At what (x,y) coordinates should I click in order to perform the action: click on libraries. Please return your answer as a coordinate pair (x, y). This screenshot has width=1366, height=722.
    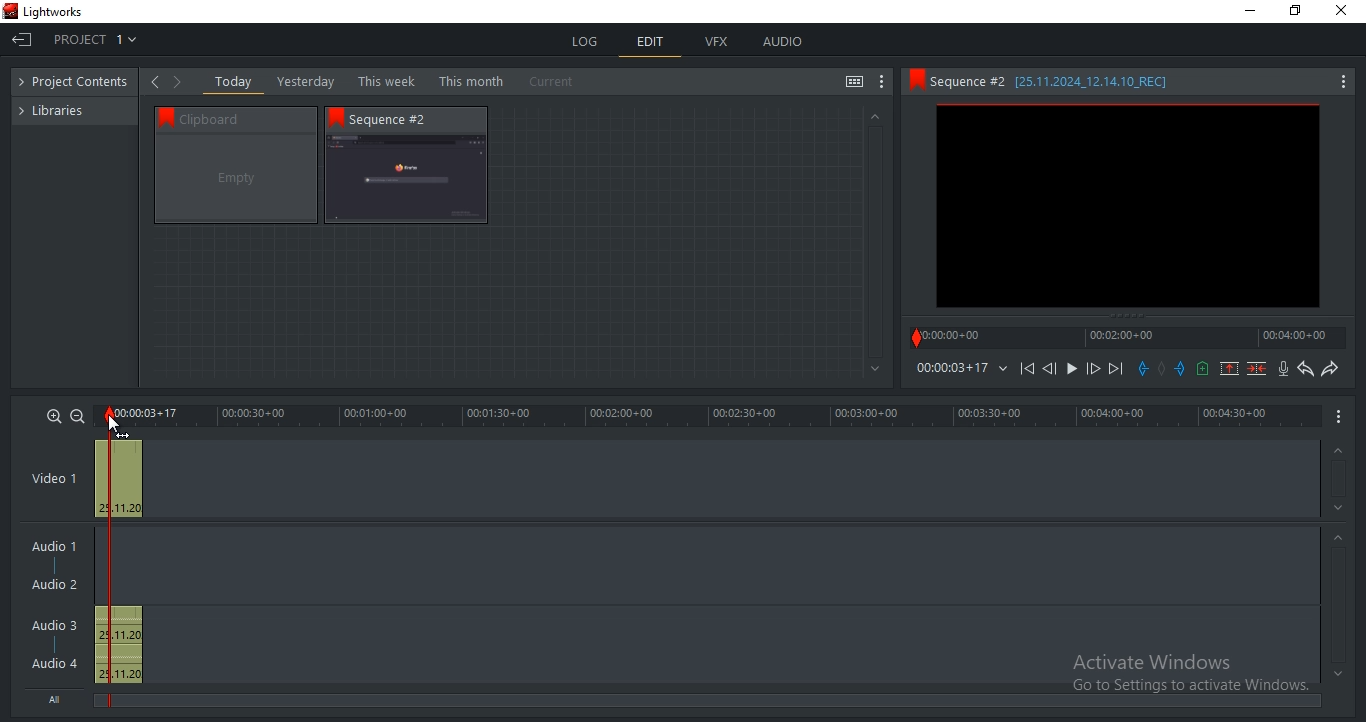
    Looking at the image, I should click on (61, 109).